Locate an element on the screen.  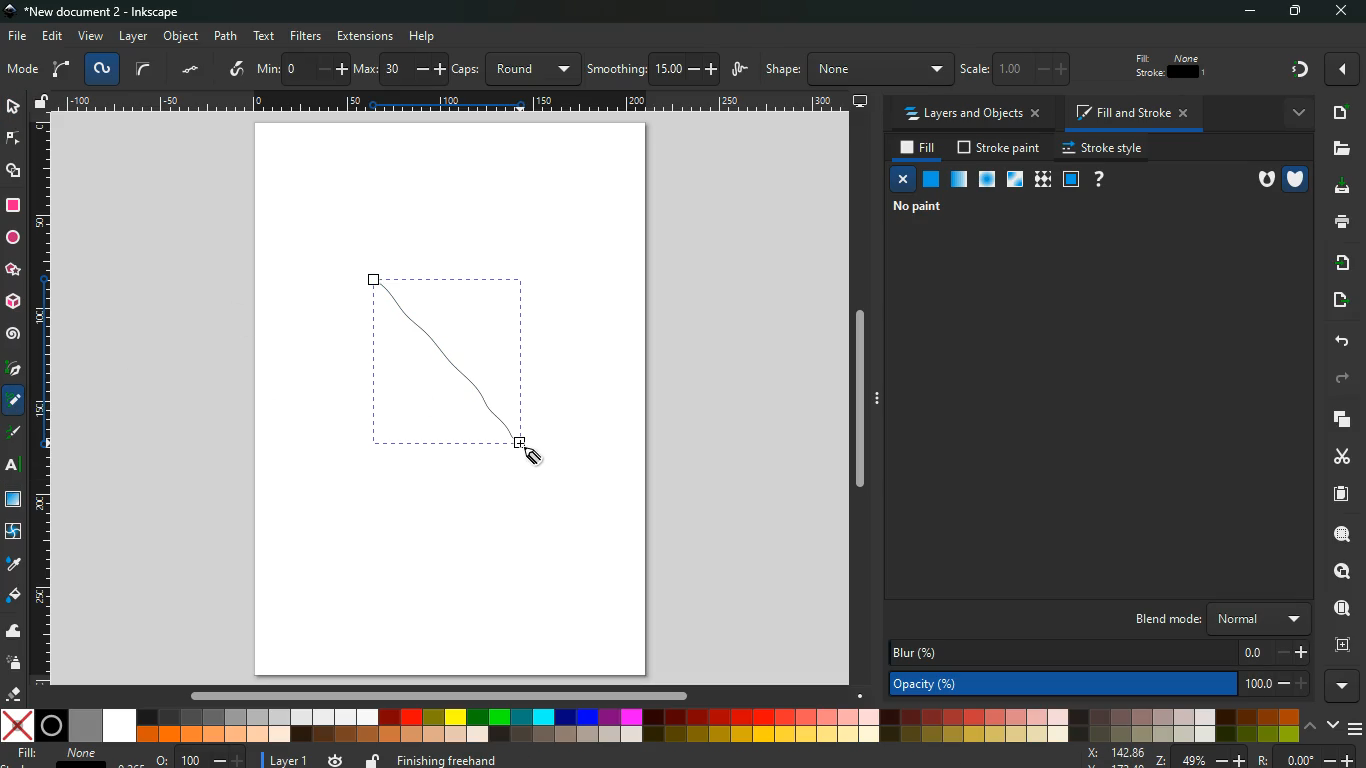
opacity is located at coordinates (1099, 683).